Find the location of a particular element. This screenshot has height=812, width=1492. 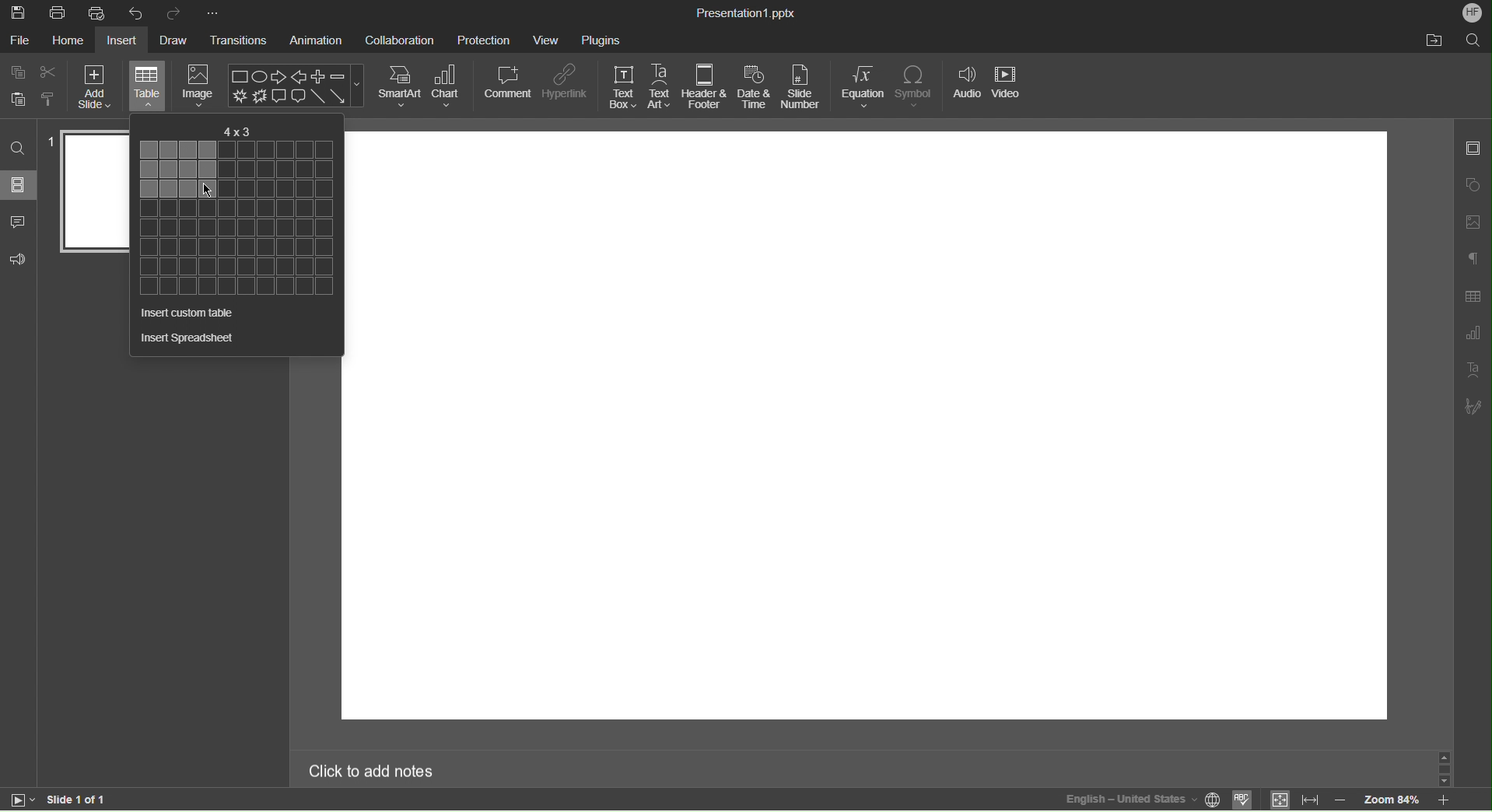

Paste is located at coordinates (16, 100).